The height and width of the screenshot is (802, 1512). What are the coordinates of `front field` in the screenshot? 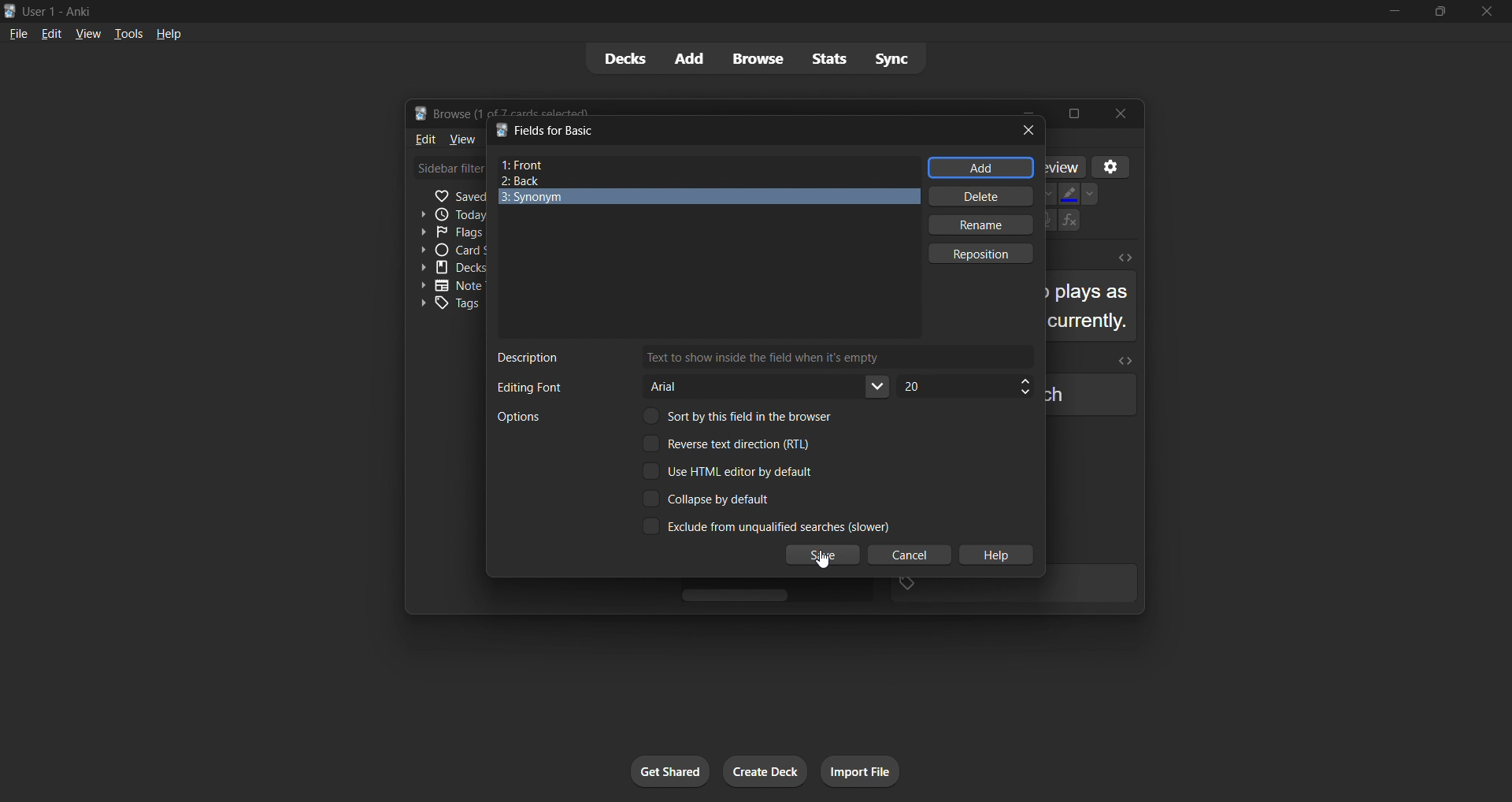 It's located at (710, 163).